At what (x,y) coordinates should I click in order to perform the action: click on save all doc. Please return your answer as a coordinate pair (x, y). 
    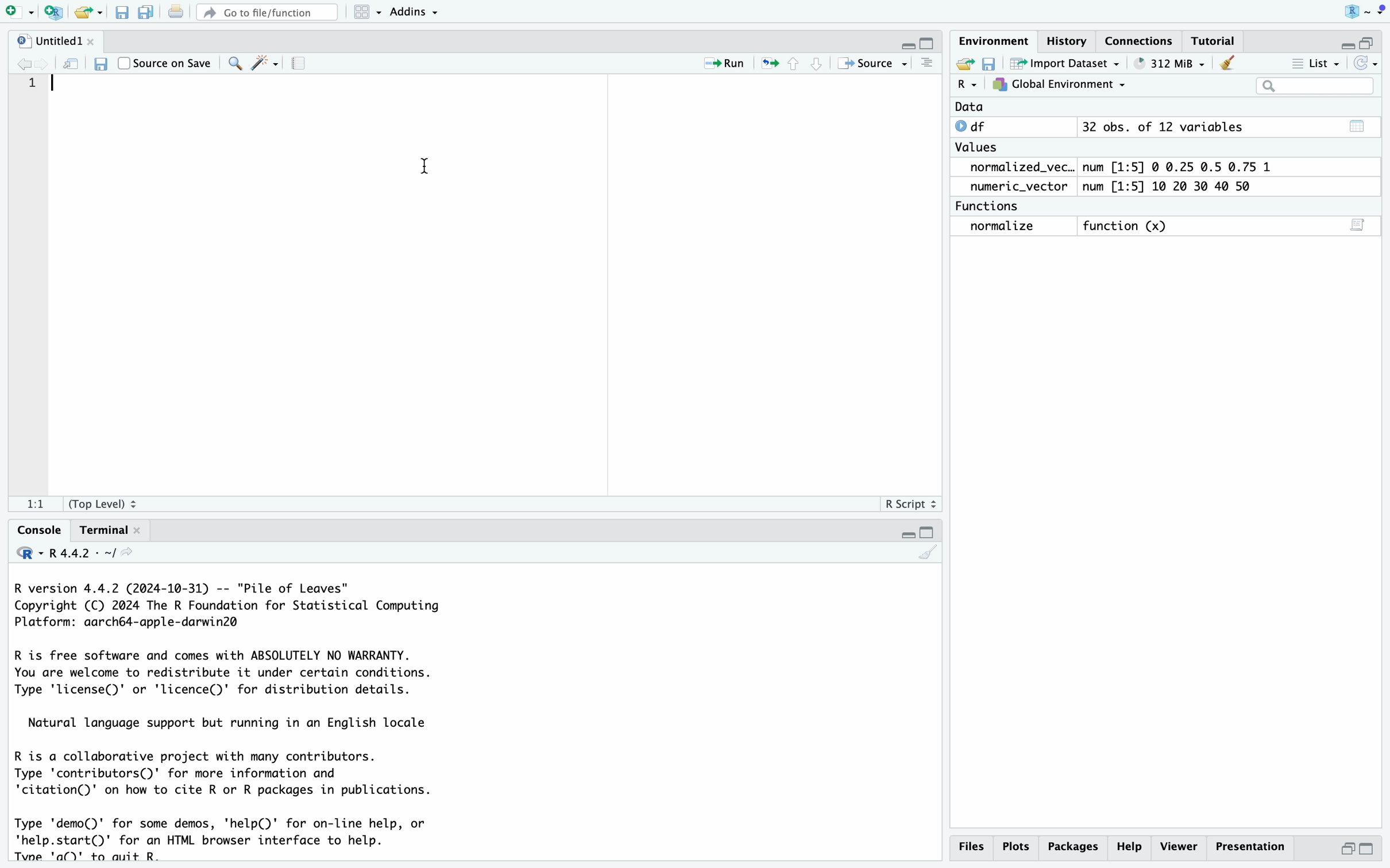
    Looking at the image, I should click on (148, 13).